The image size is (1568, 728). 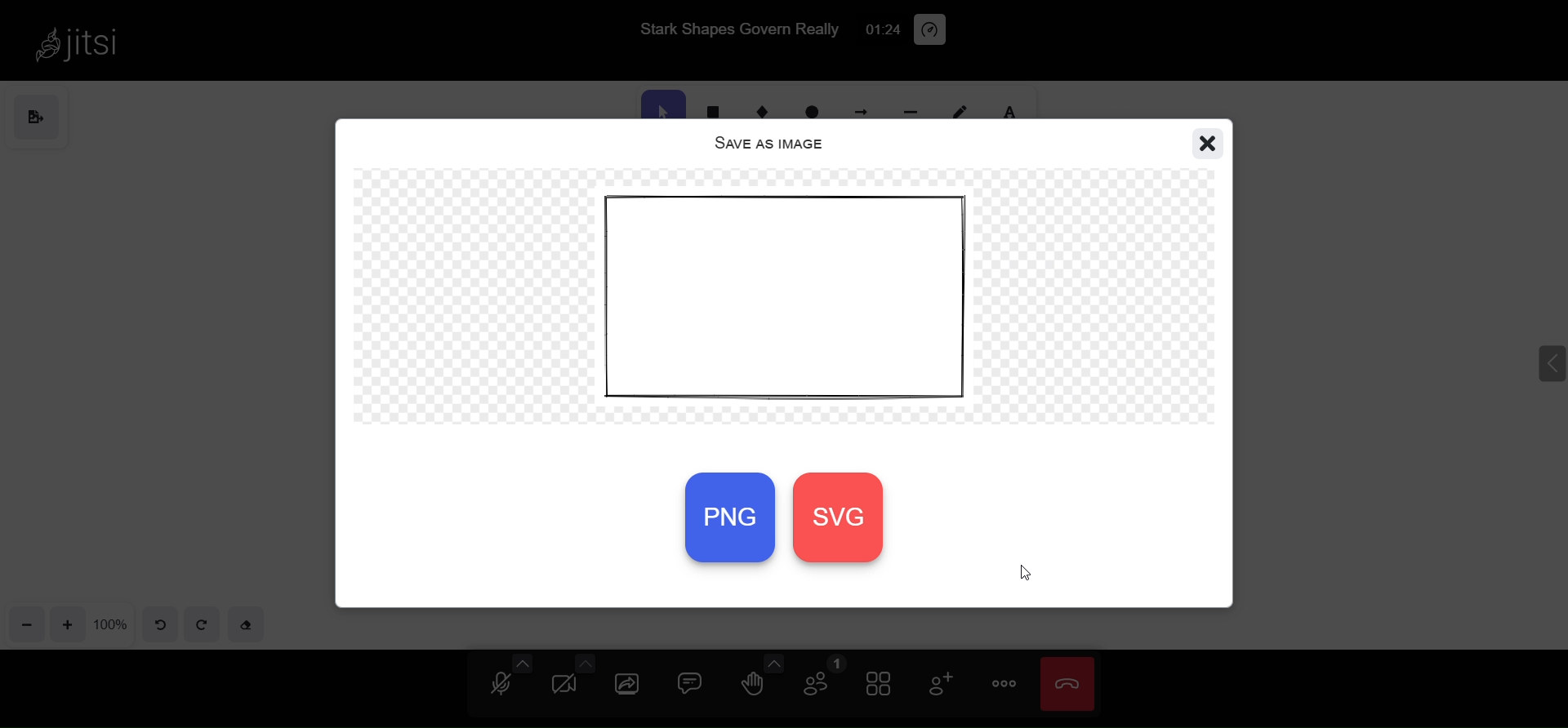 What do you see at coordinates (770, 661) in the screenshot?
I see `more emoji` at bounding box center [770, 661].